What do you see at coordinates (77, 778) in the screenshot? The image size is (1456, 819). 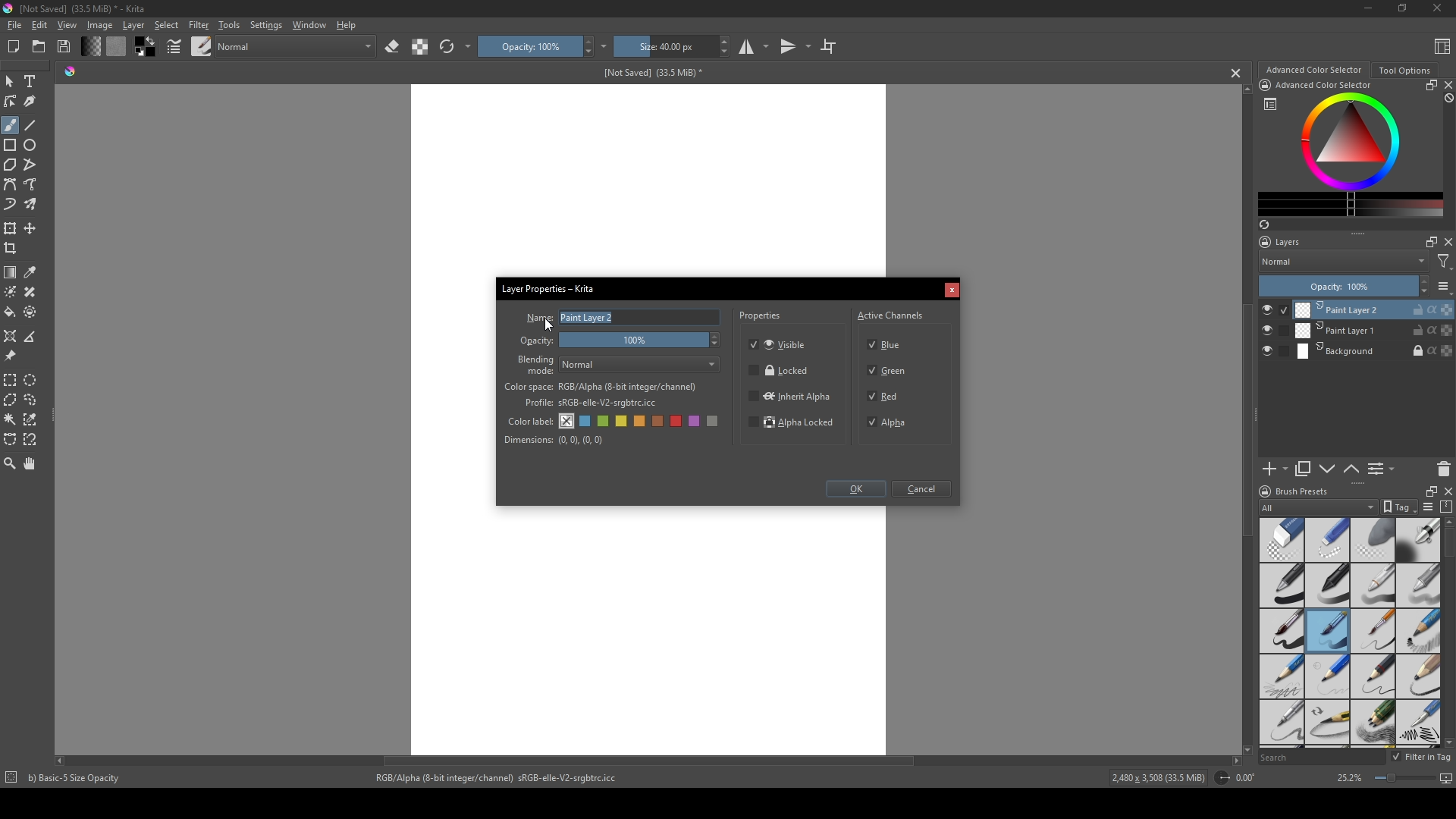 I see `b) Basic-5 Size Opacity` at bounding box center [77, 778].